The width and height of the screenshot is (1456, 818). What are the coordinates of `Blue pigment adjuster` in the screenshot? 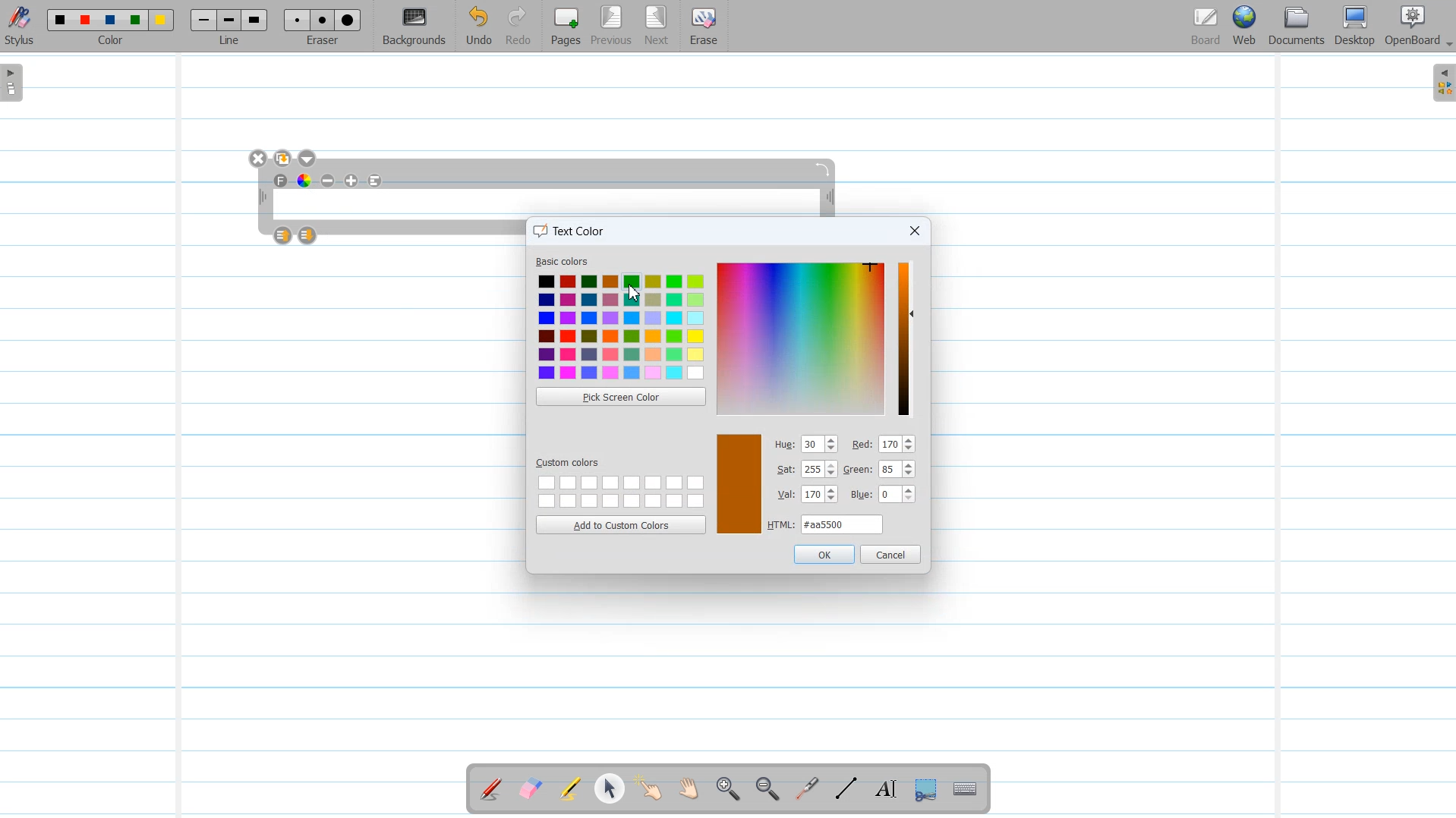 It's located at (883, 496).